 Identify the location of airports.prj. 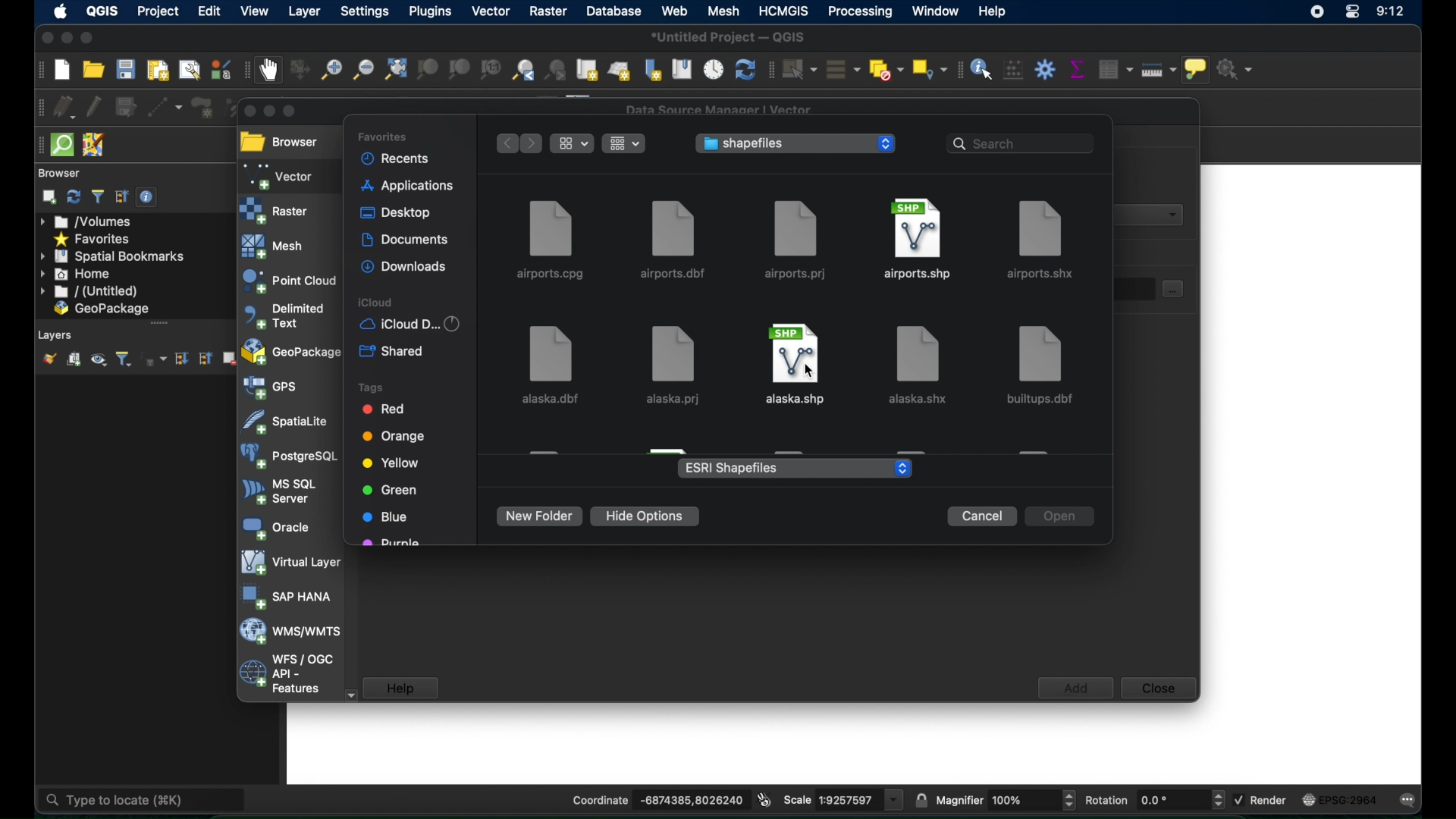
(796, 240).